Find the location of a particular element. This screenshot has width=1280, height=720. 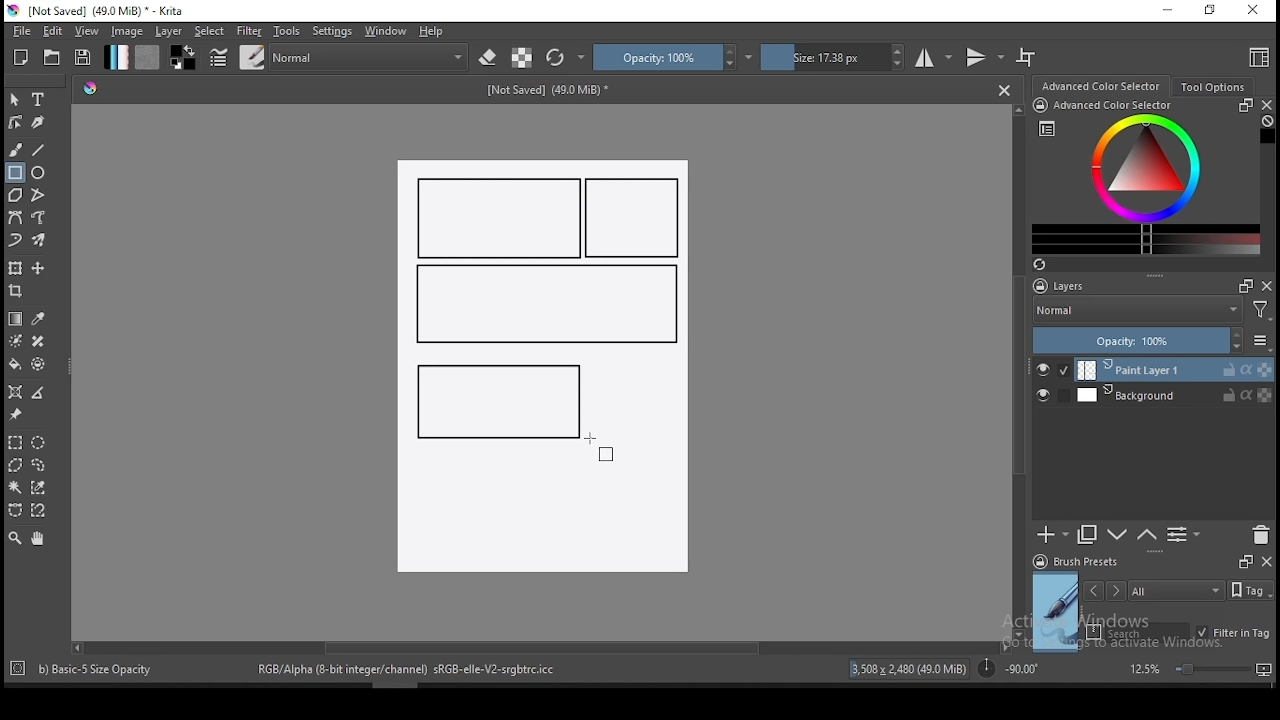

brush presets is located at coordinates (1082, 562).